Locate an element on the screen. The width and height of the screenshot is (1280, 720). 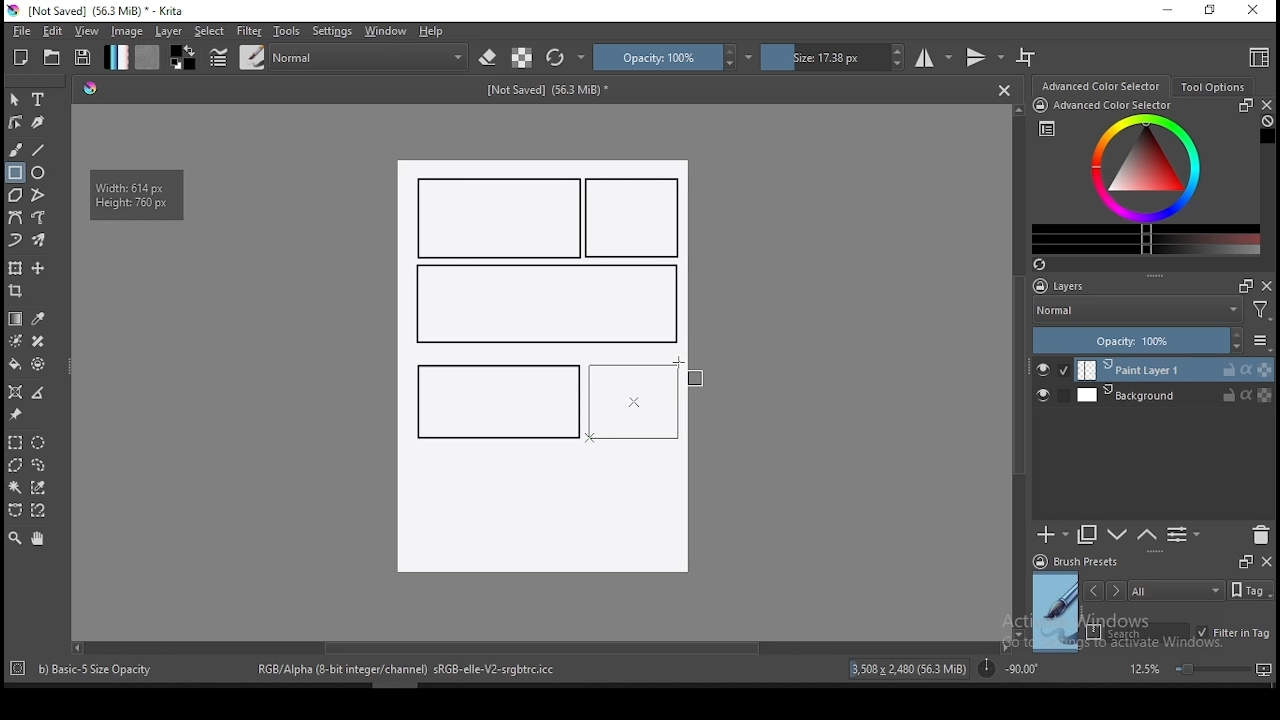
polygon tool is located at coordinates (14, 195).